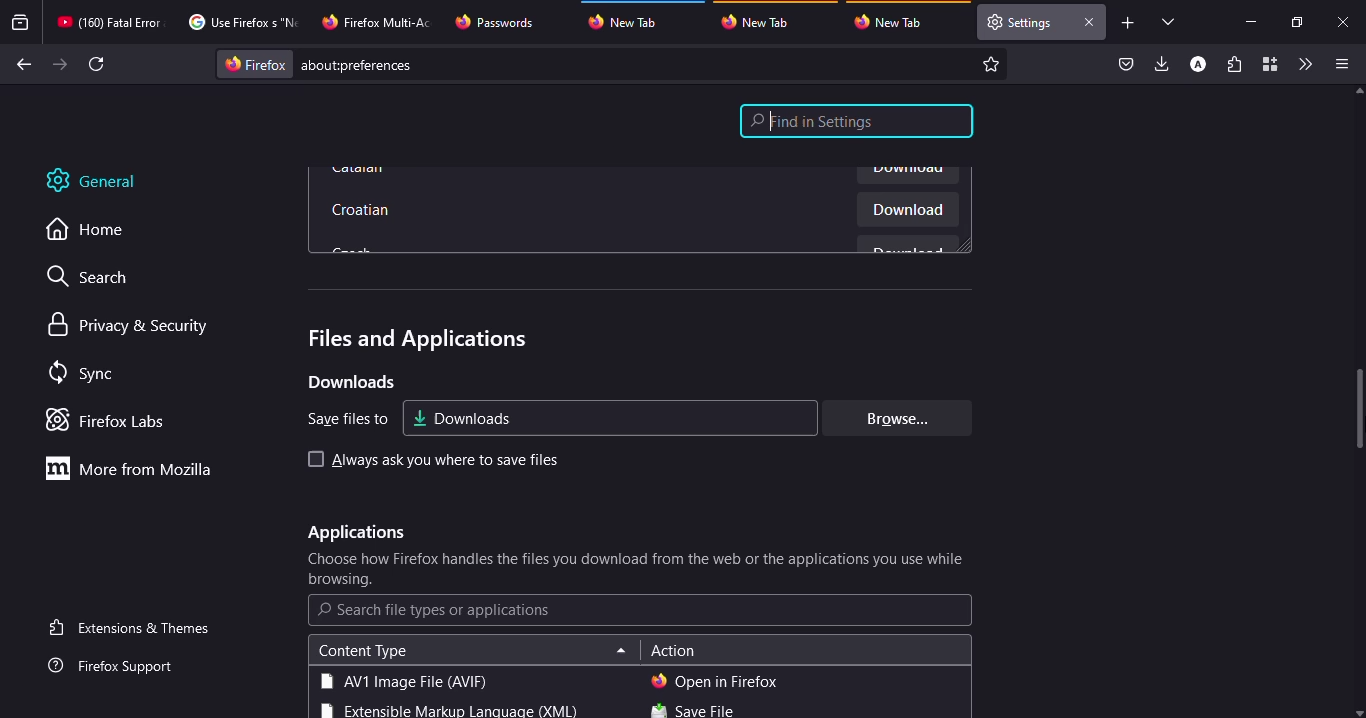  Describe the element at coordinates (401, 681) in the screenshot. I see `type` at that location.